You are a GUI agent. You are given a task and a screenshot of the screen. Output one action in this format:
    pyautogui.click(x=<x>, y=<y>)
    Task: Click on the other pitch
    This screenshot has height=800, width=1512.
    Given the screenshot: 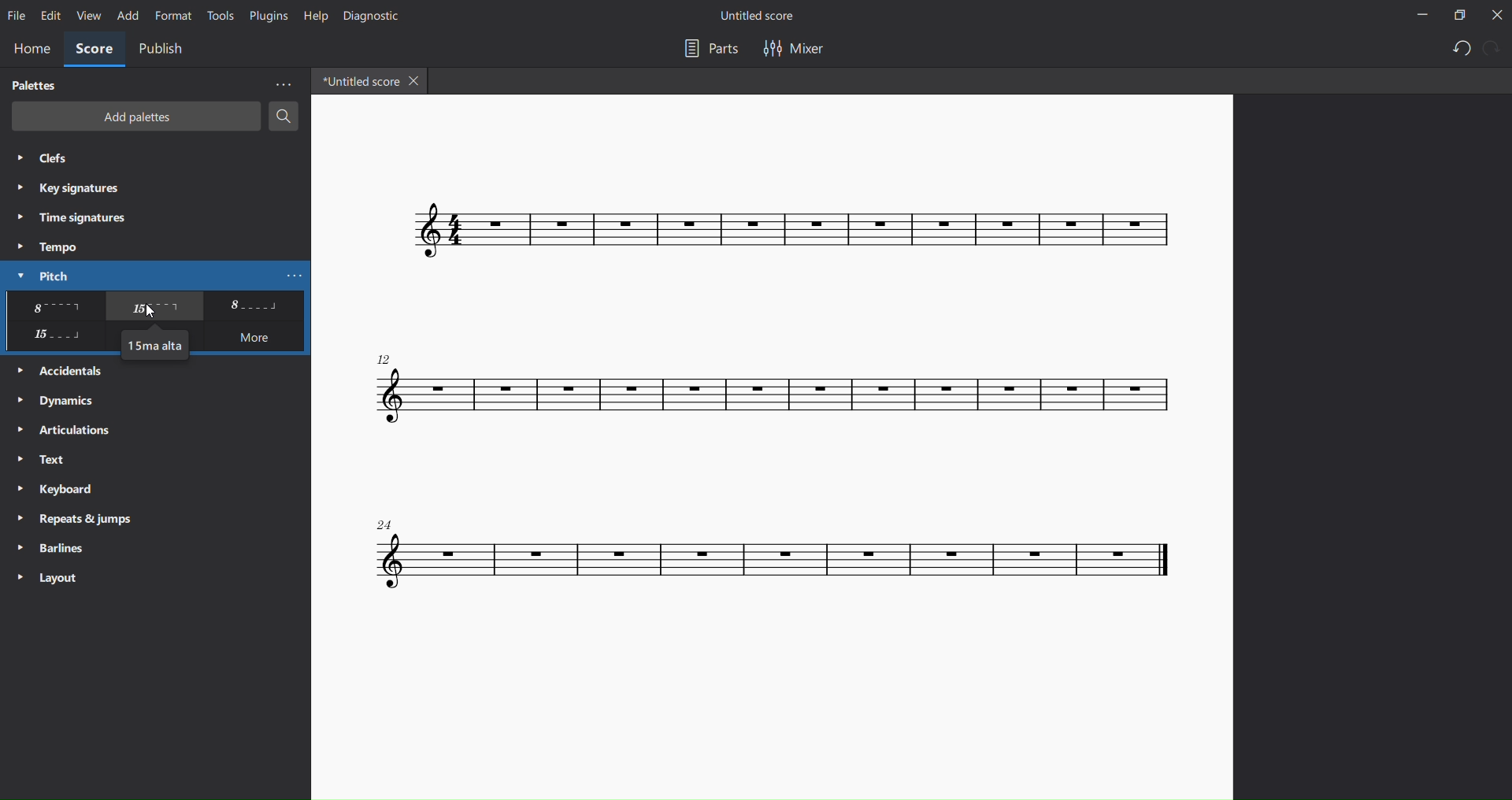 What is the action you would take?
    pyautogui.click(x=53, y=337)
    